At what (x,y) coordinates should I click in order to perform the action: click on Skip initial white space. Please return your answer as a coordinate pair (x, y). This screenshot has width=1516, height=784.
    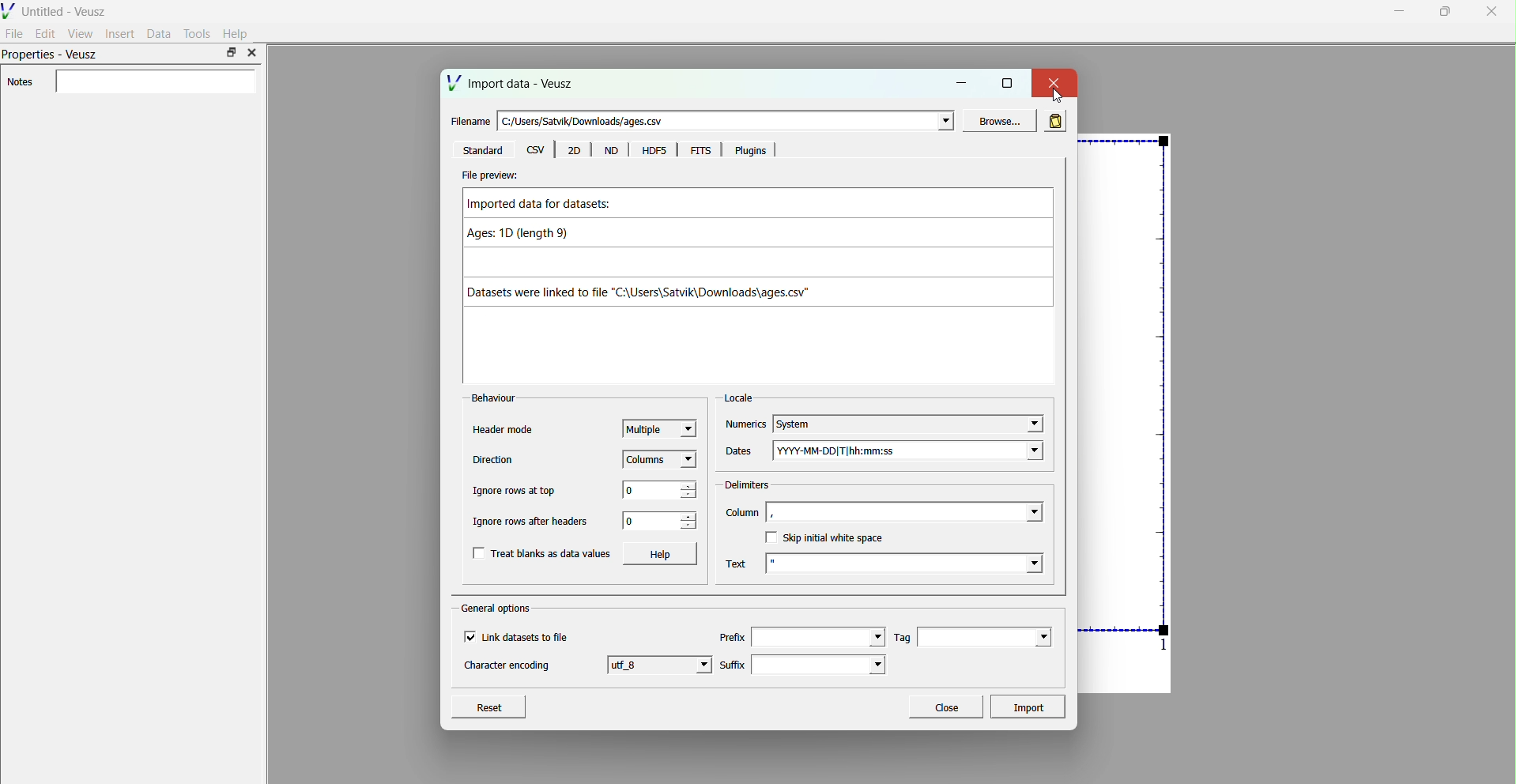
    Looking at the image, I should click on (835, 538).